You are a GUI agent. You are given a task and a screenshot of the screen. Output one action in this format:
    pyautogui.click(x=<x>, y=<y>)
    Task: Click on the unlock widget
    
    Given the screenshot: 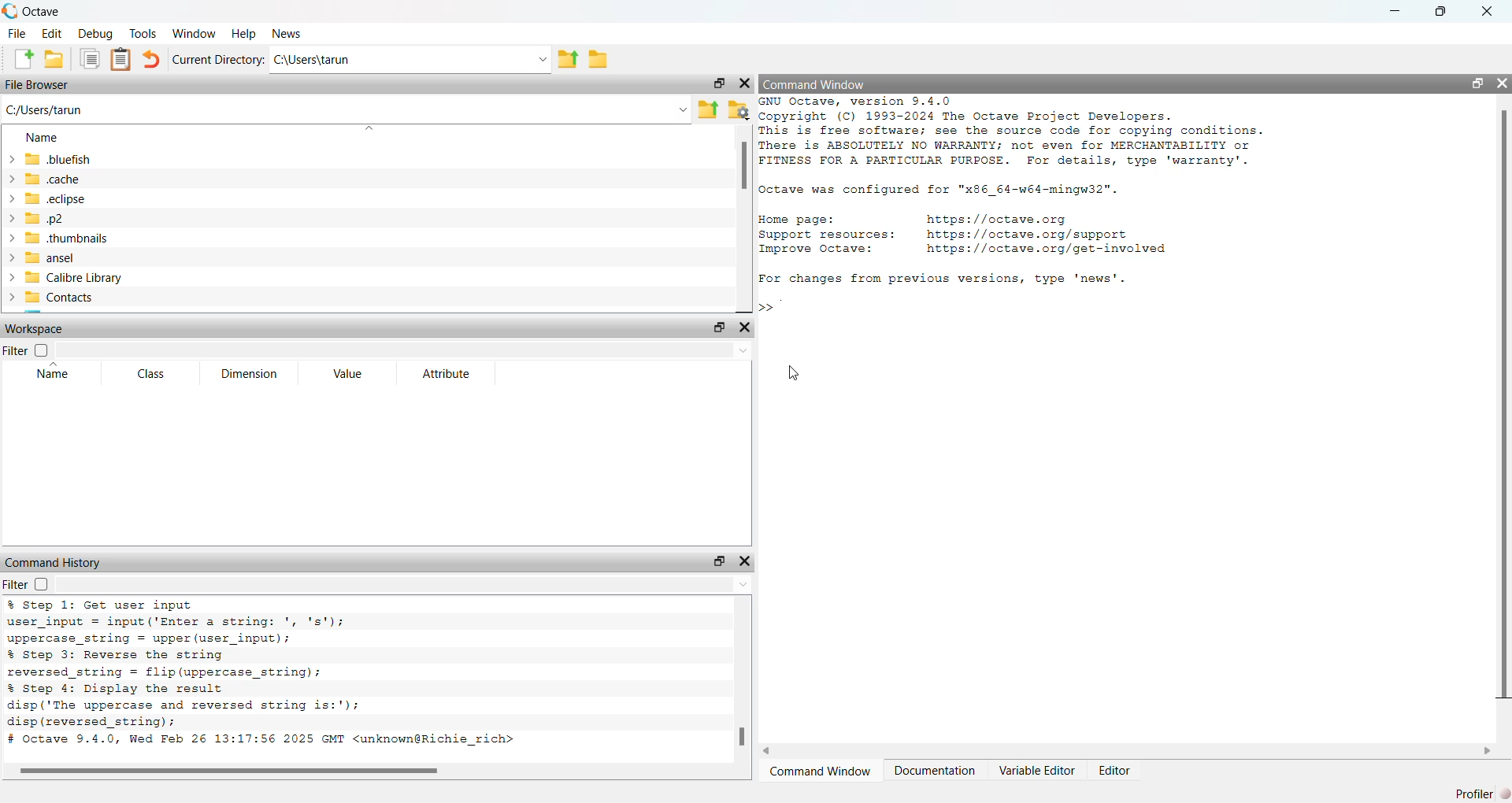 What is the action you would take?
    pyautogui.click(x=717, y=326)
    